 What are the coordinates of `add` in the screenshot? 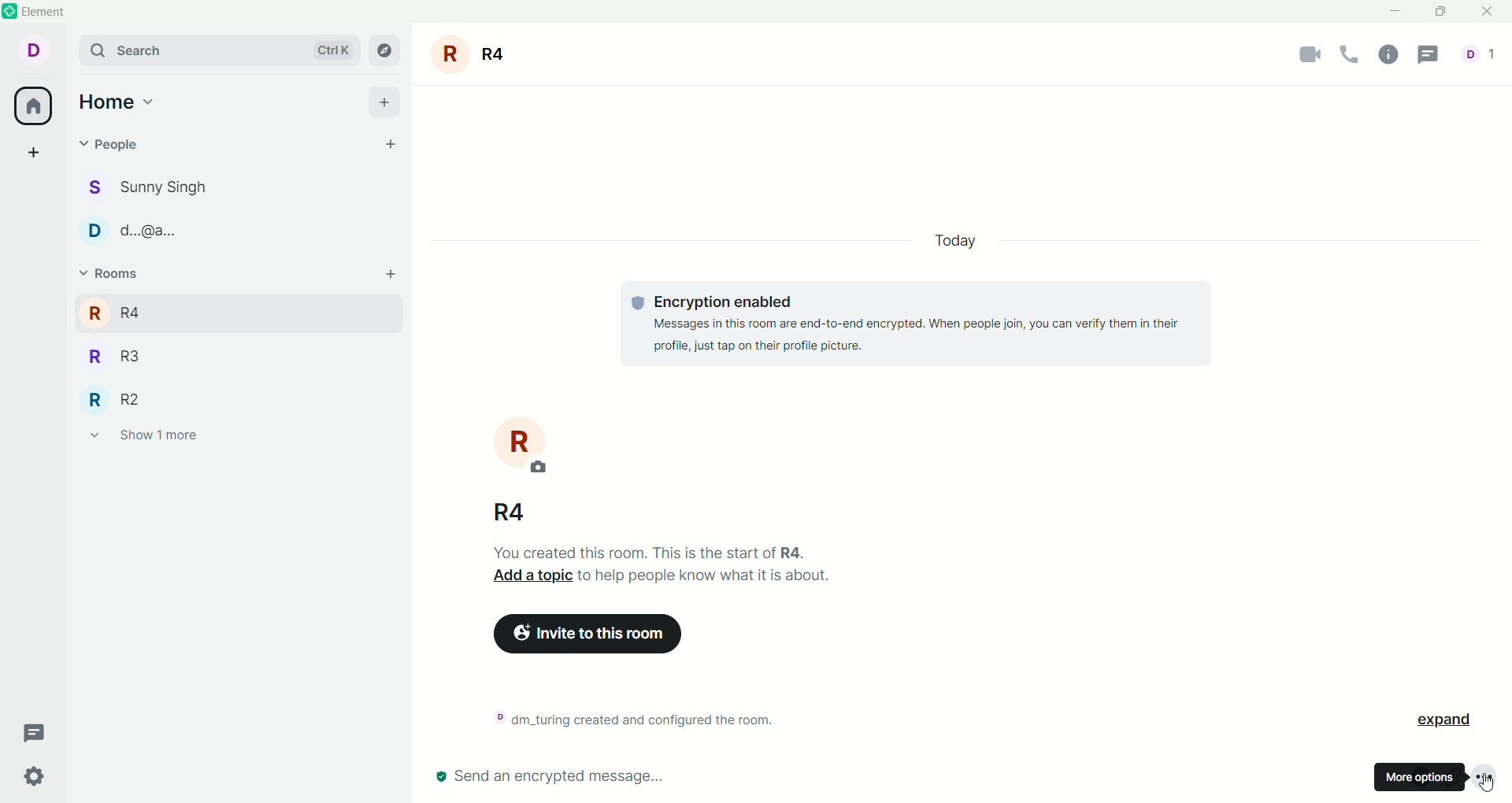 It's located at (396, 279).